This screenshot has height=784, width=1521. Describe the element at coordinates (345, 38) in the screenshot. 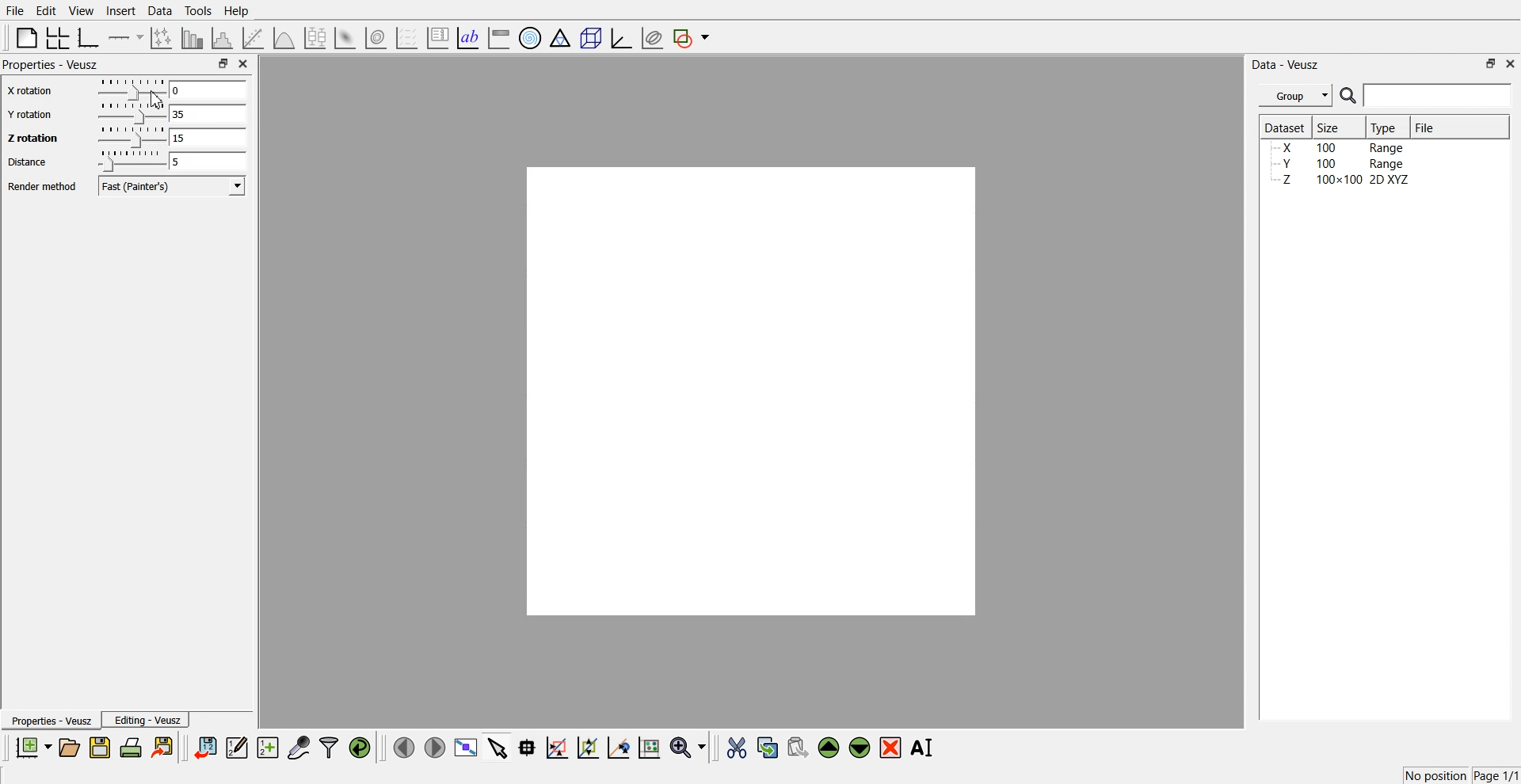

I see `3D Surface` at that location.